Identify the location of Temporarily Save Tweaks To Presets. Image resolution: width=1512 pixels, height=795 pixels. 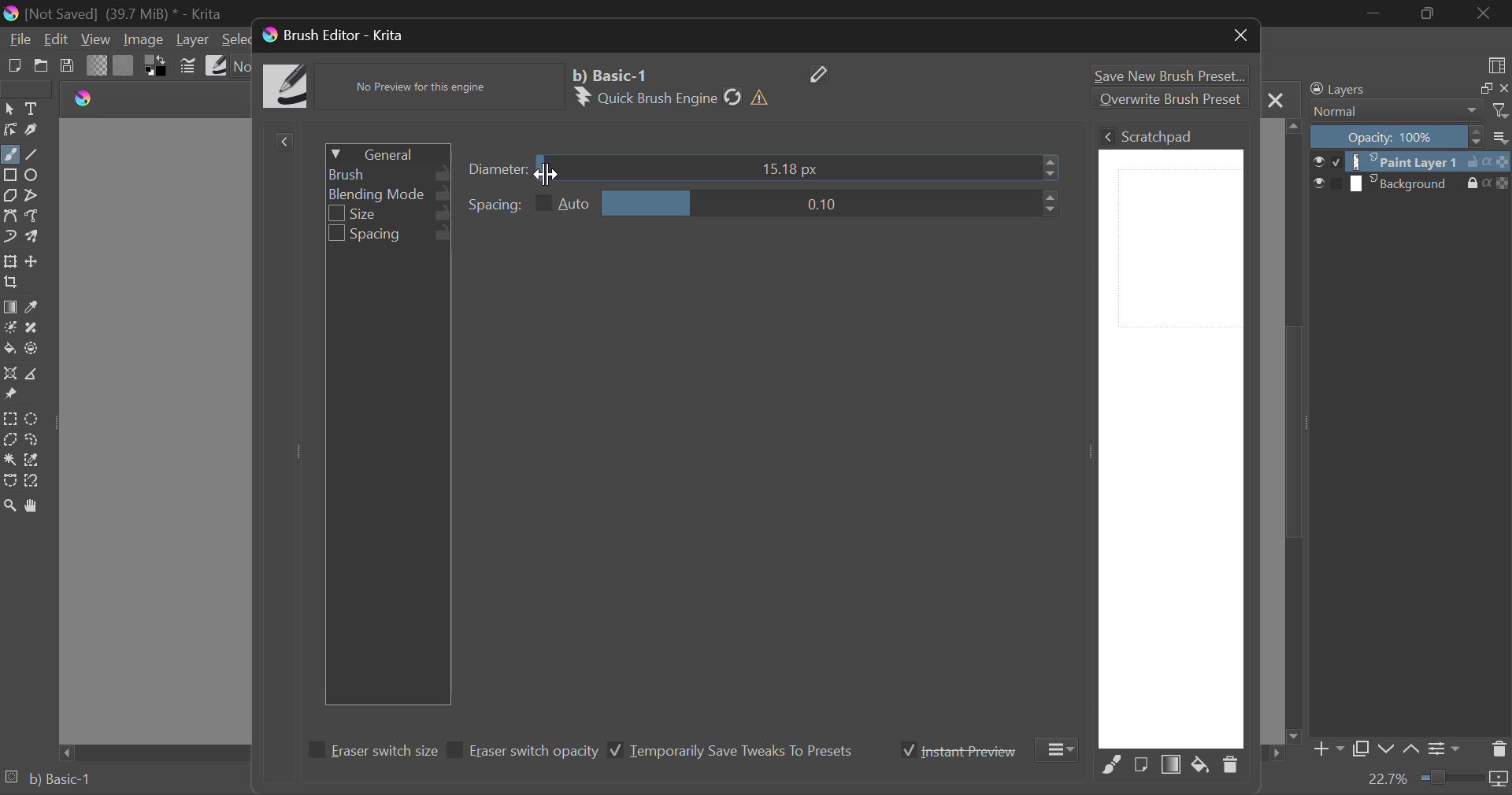
(731, 751).